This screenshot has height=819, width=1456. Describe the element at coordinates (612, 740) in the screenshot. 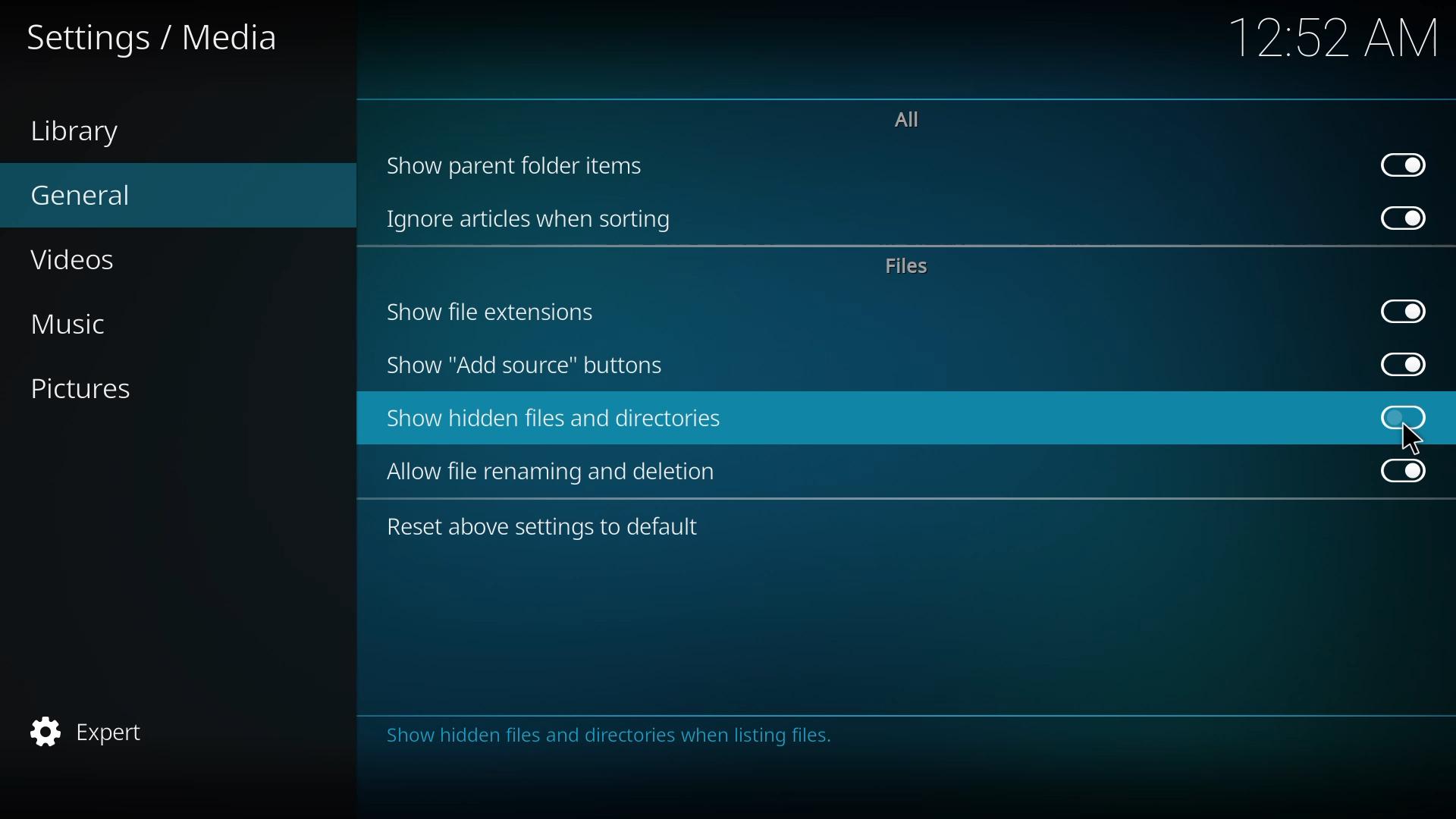

I see `Show hidden files and directories when listing files.` at that location.